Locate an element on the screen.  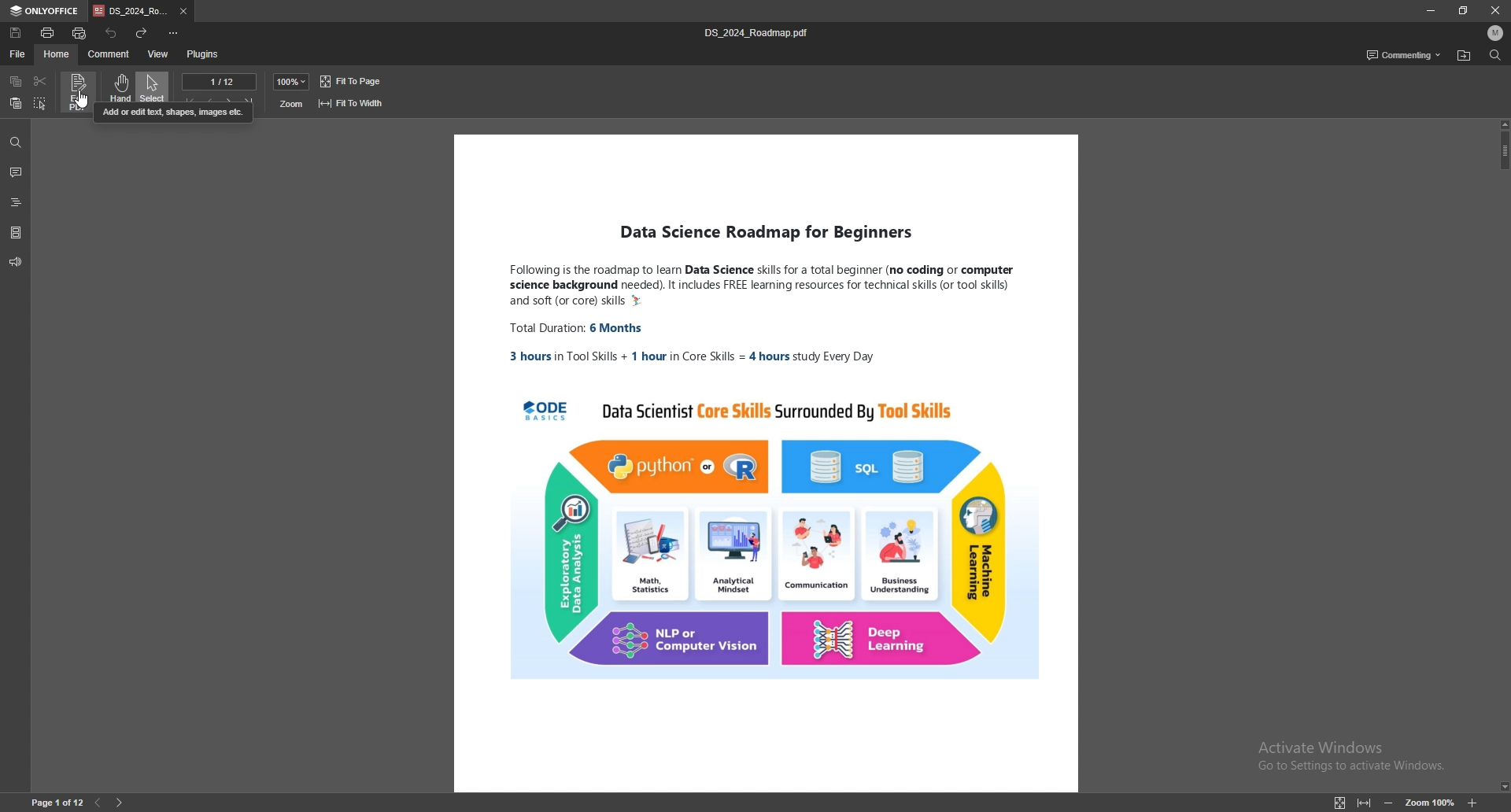
comment is located at coordinates (17, 172).